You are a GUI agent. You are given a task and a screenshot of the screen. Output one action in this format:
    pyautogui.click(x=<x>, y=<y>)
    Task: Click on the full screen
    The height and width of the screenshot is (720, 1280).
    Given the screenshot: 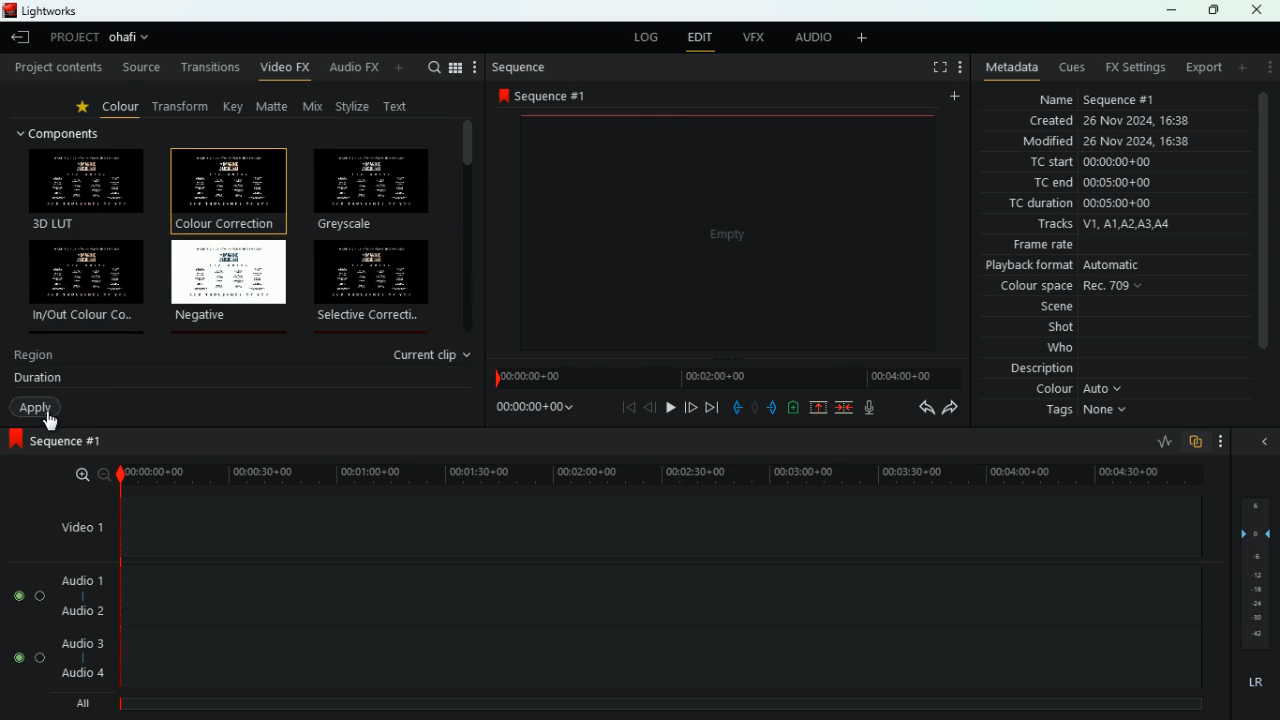 What is the action you would take?
    pyautogui.click(x=937, y=67)
    